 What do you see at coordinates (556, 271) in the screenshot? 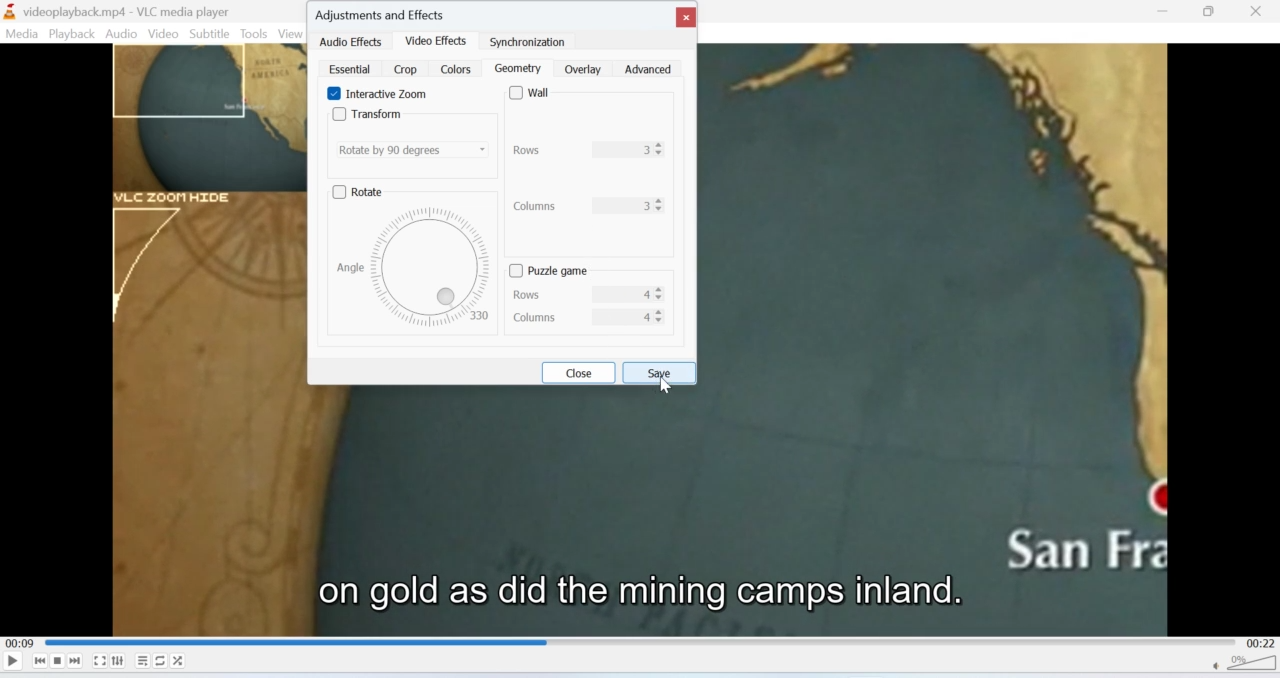
I see `puzzle game` at bounding box center [556, 271].